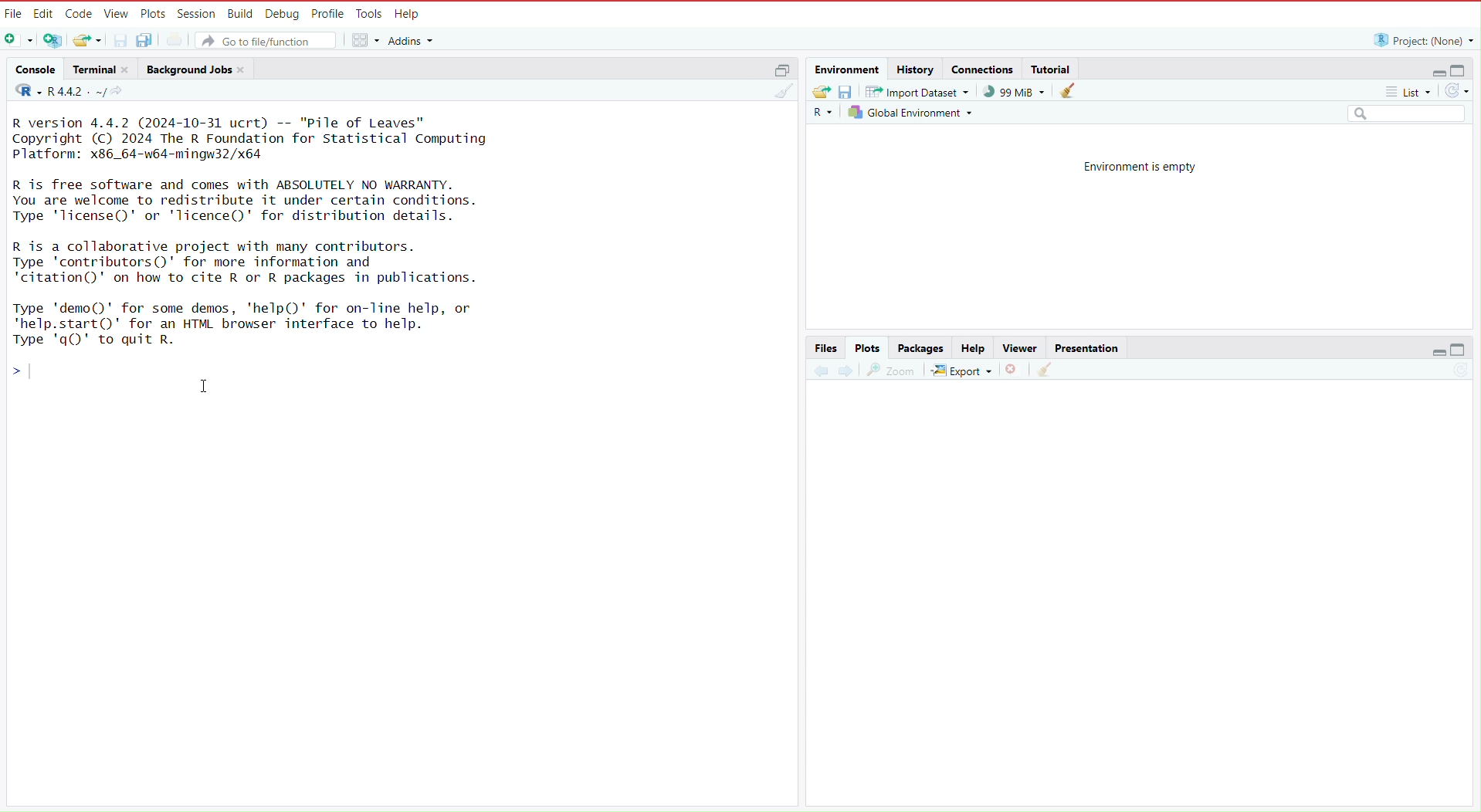  What do you see at coordinates (174, 41) in the screenshot?
I see `print the current file` at bounding box center [174, 41].